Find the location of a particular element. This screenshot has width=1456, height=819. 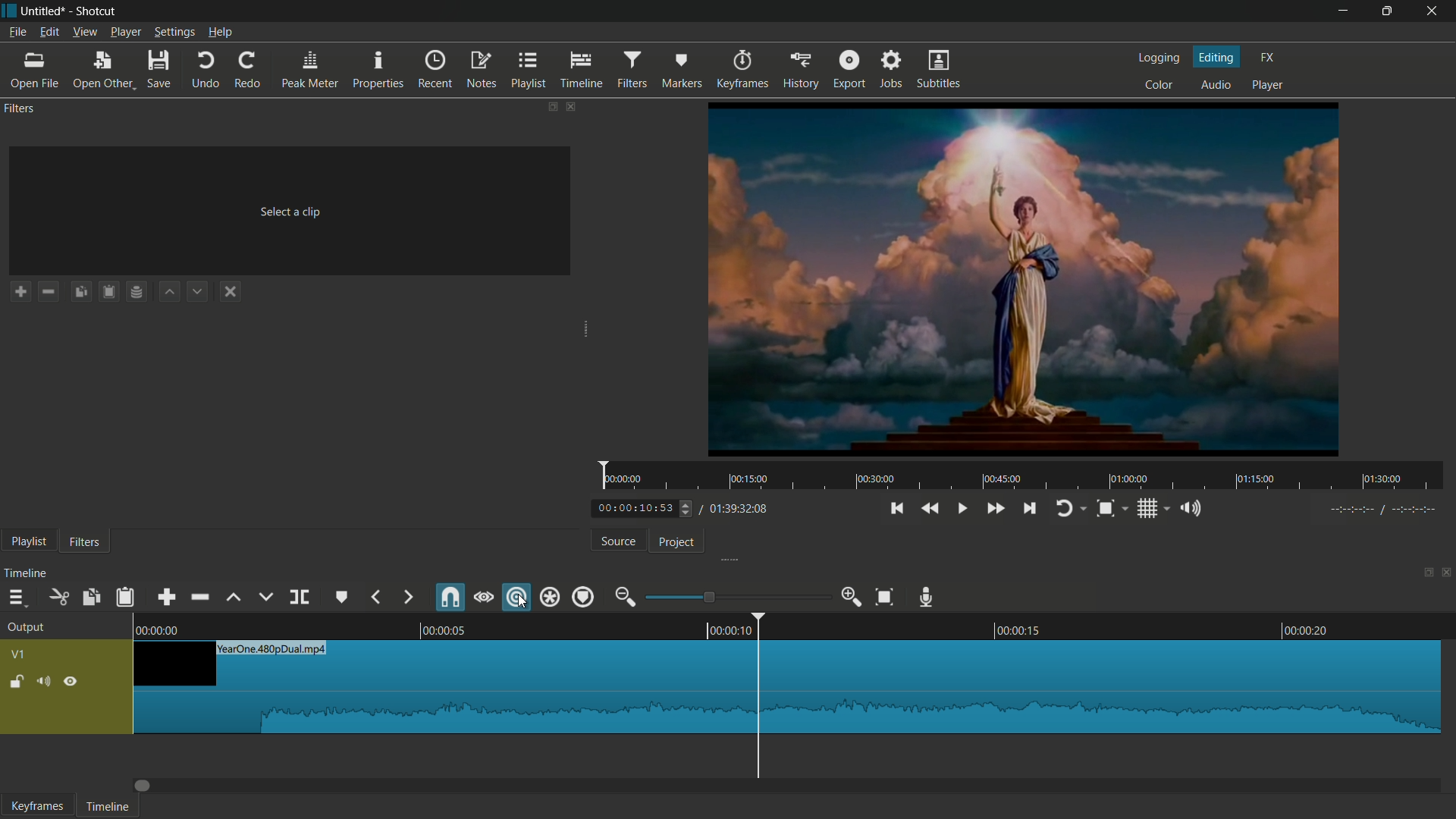

split at playhead is located at coordinates (298, 598).